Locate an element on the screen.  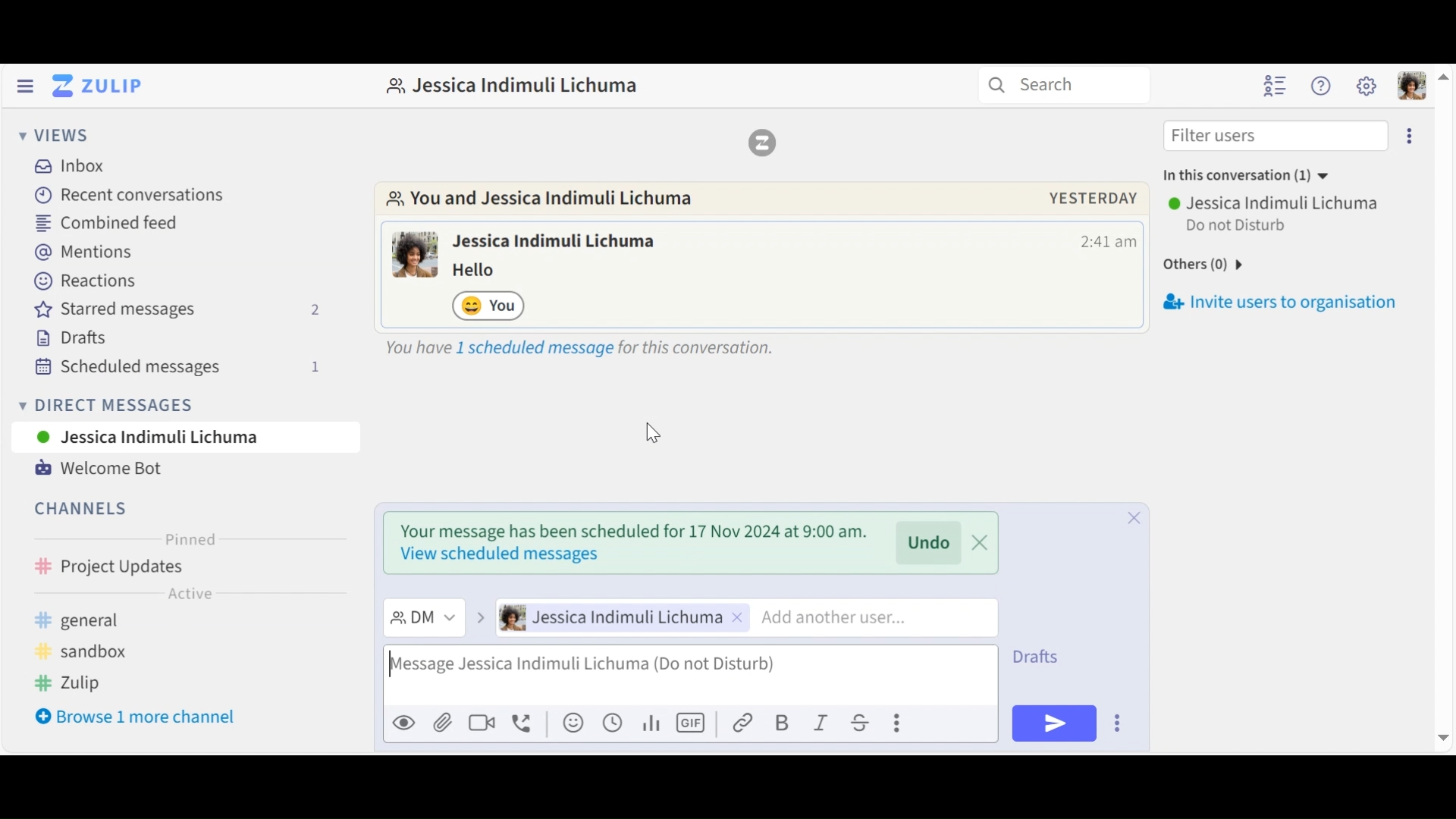
Add global time is located at coordinates (611, 723).